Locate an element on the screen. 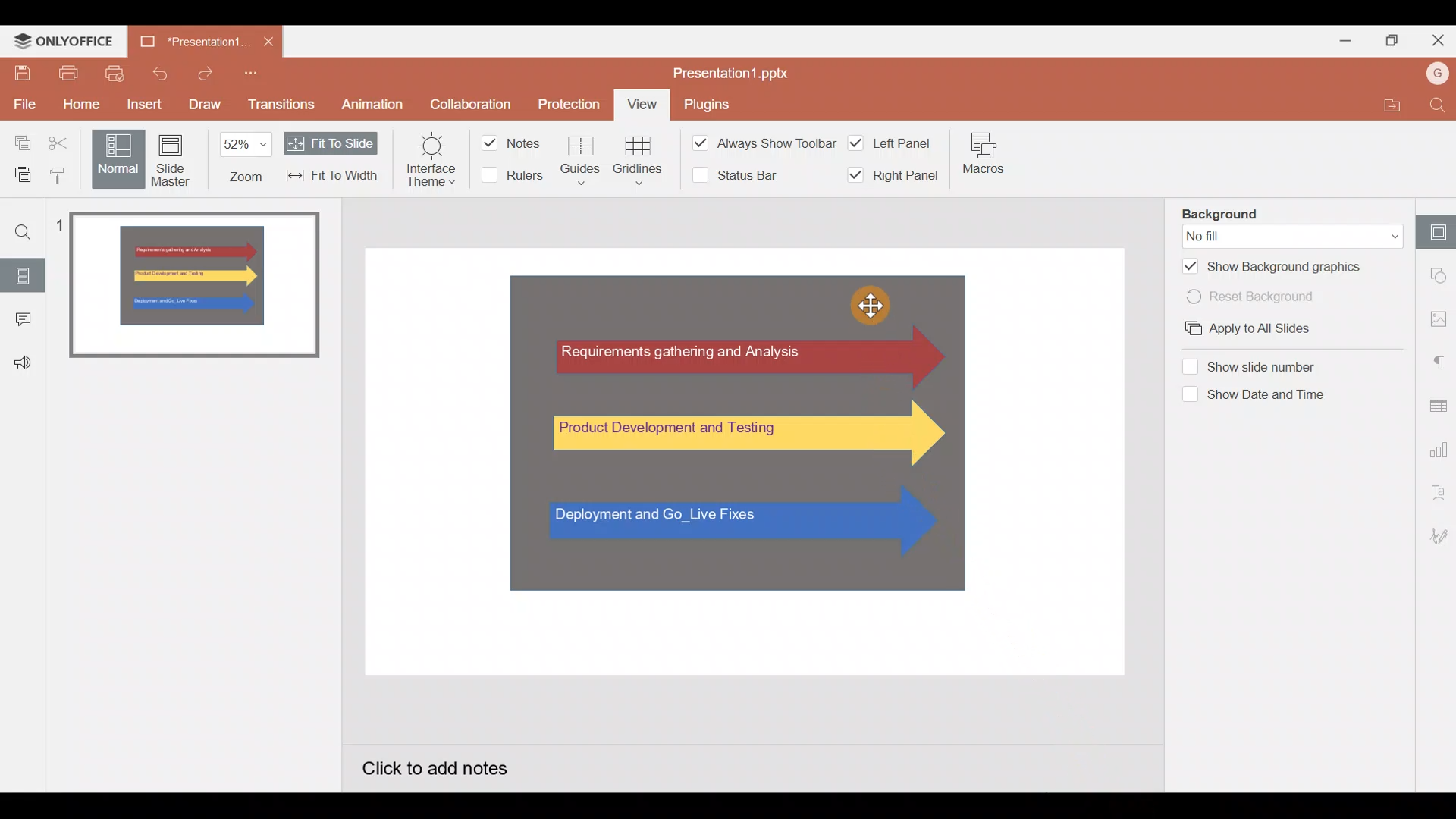 Image resolution: width=1456 pixels, height=819 pixels. Apply to all slides is located at coordinates (1270, 331).